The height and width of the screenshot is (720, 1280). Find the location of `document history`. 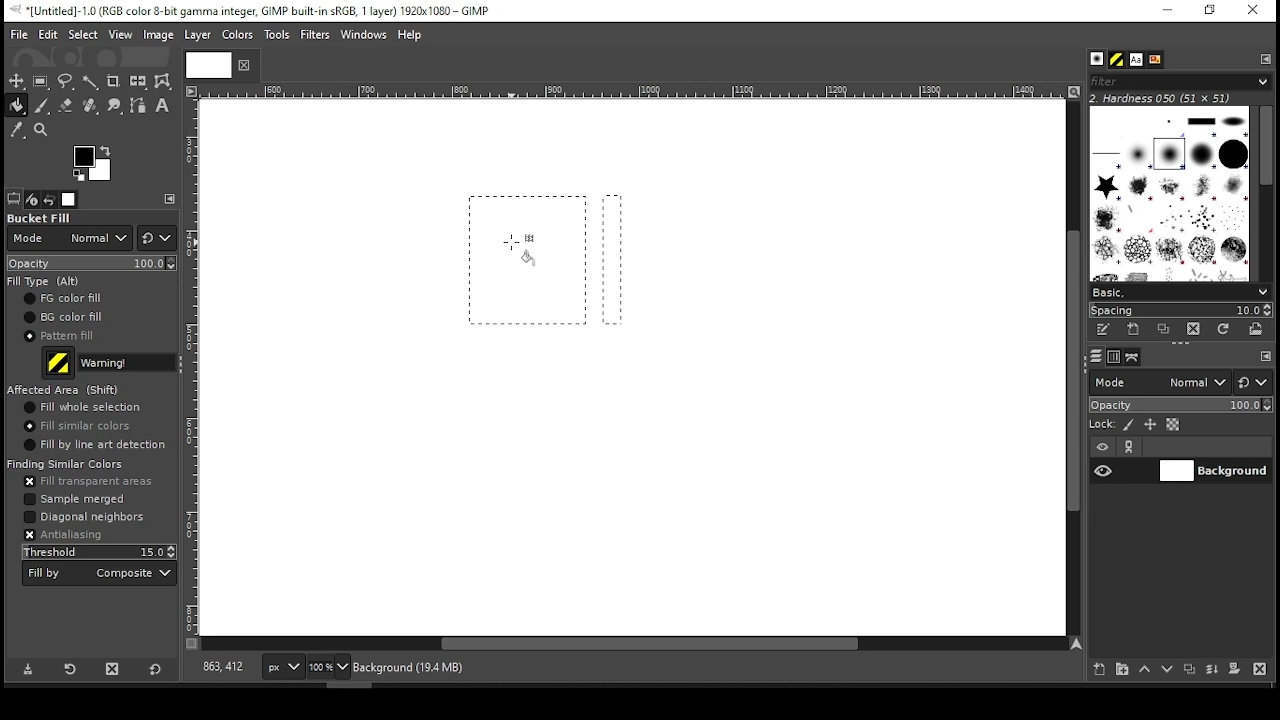

document history is located at coordinates (1154, 60).